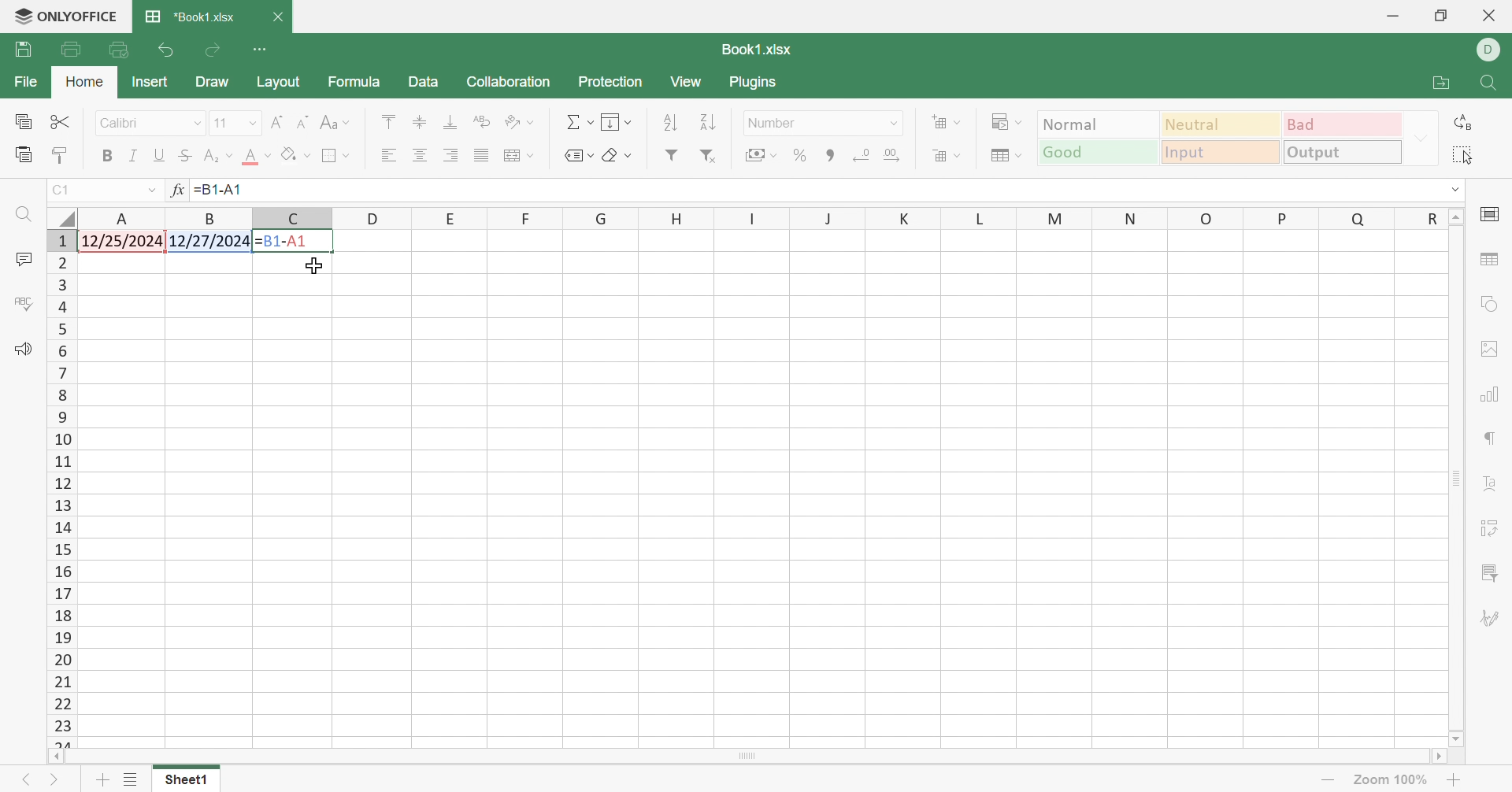  I want to click on Collaboration, so click(510, 81).